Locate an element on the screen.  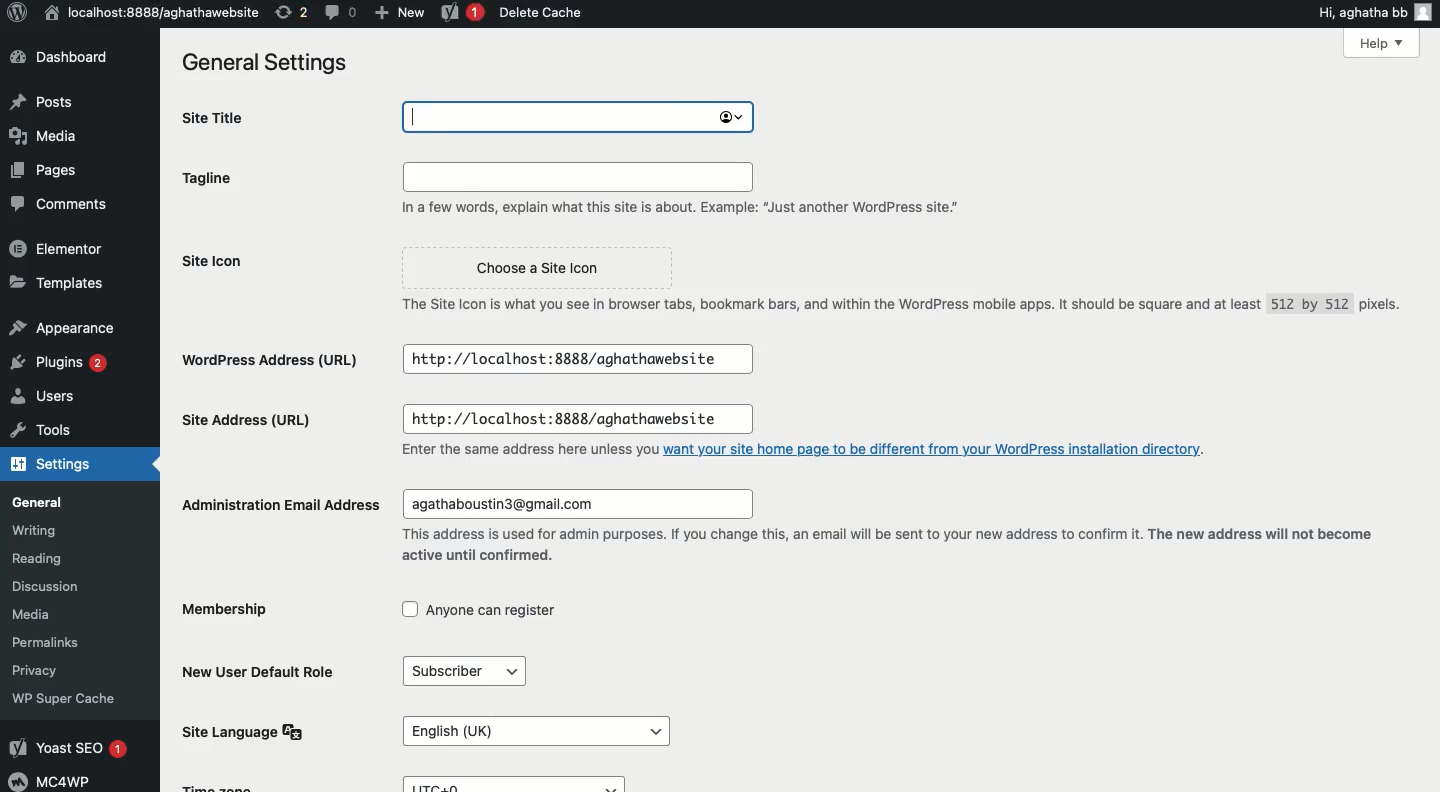
Media is located at coordinates (34, 614).